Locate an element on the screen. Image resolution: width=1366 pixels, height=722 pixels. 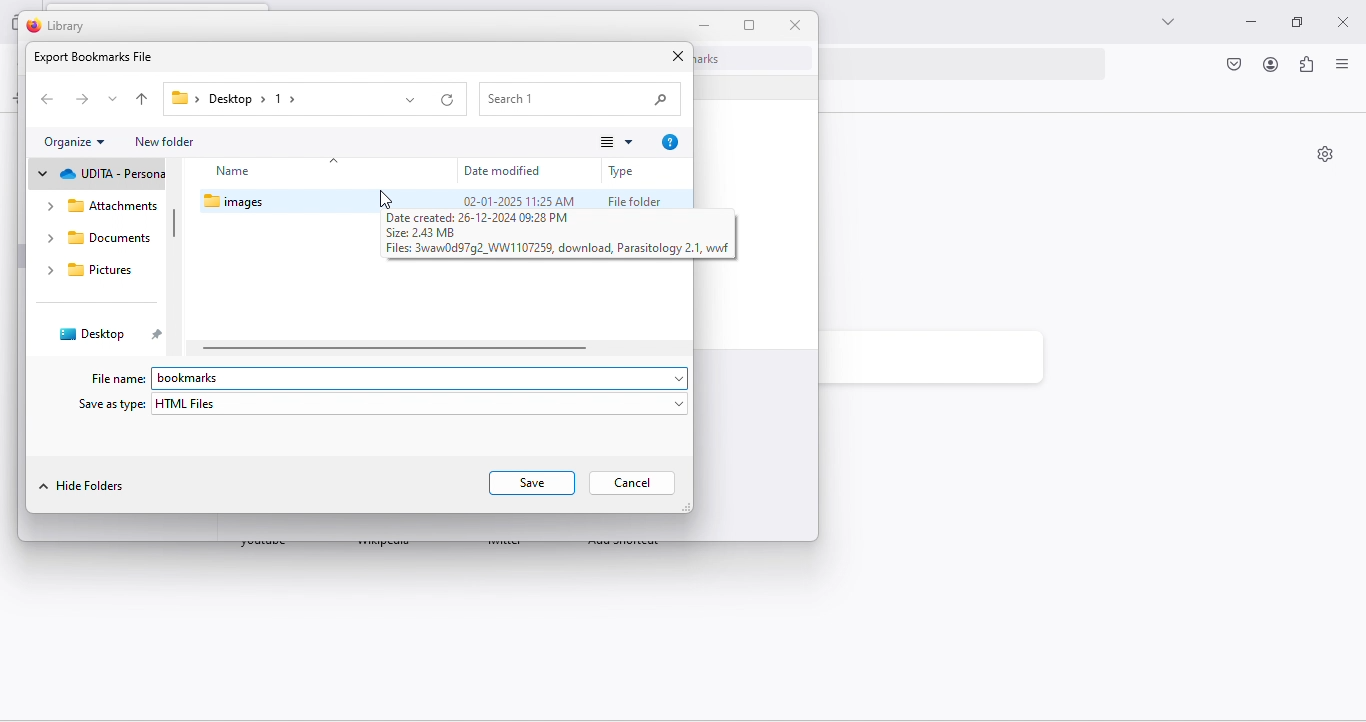
Date created: 26-12-2024 09:28 PM is located at coordinates (478, 218).